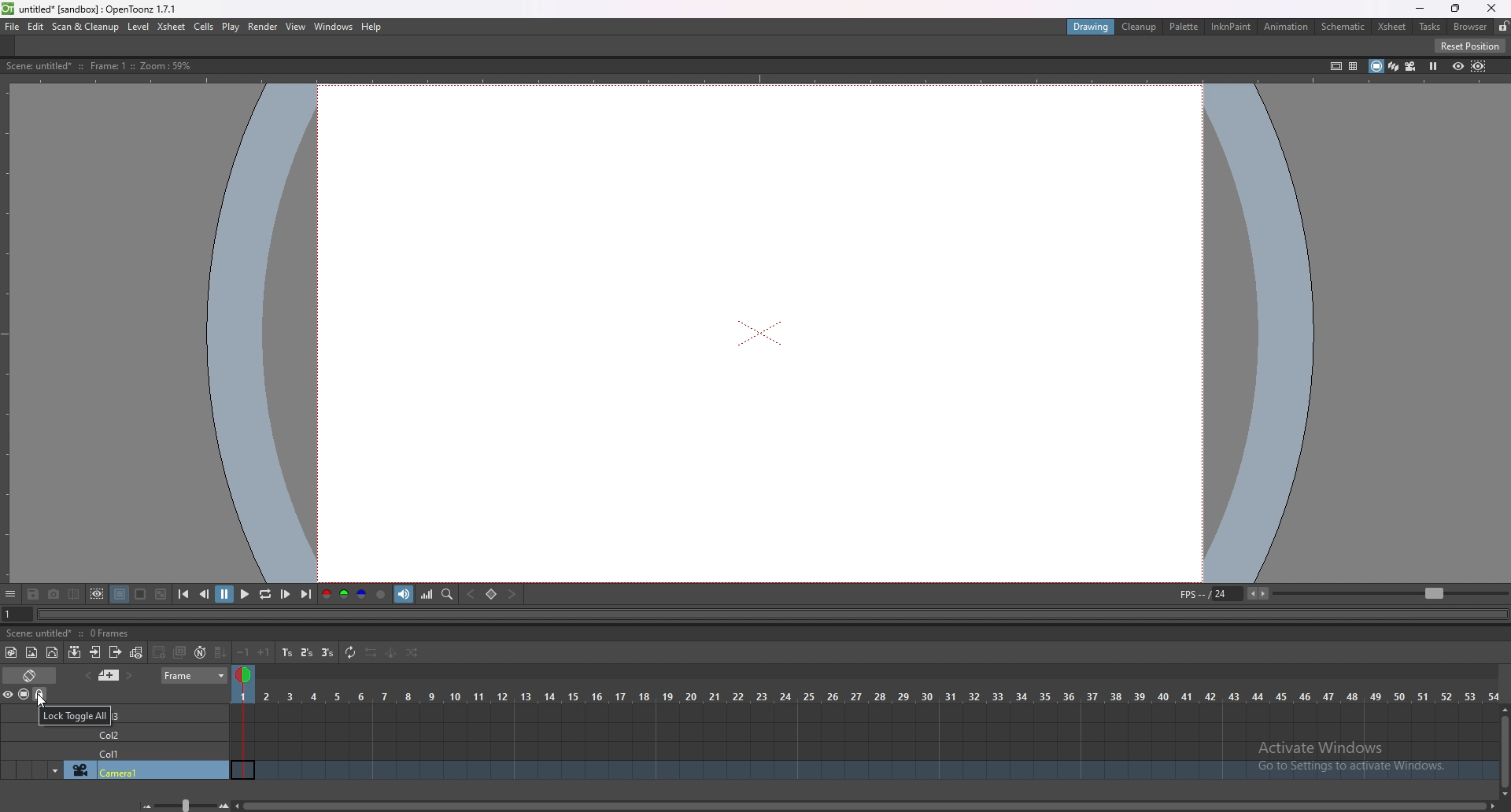 The width and height of the screenshot is (1511, 812). Describe the element at coordinates (371, 653) in the screenshot. I see `reverse` at that location.